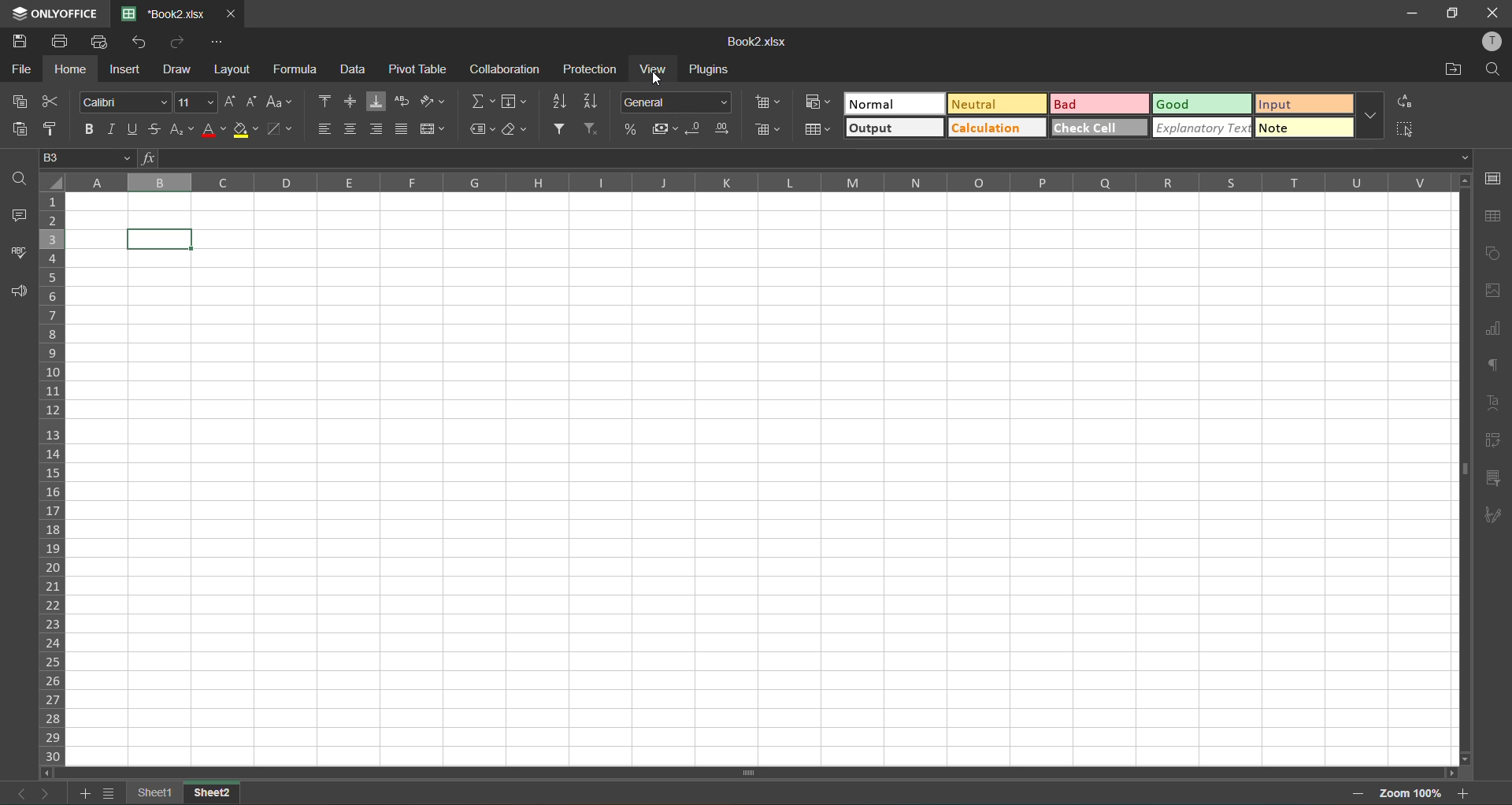 The height and width of the screenshot is (805, 1512). I want to click on spellcheck, so click(16, 258).